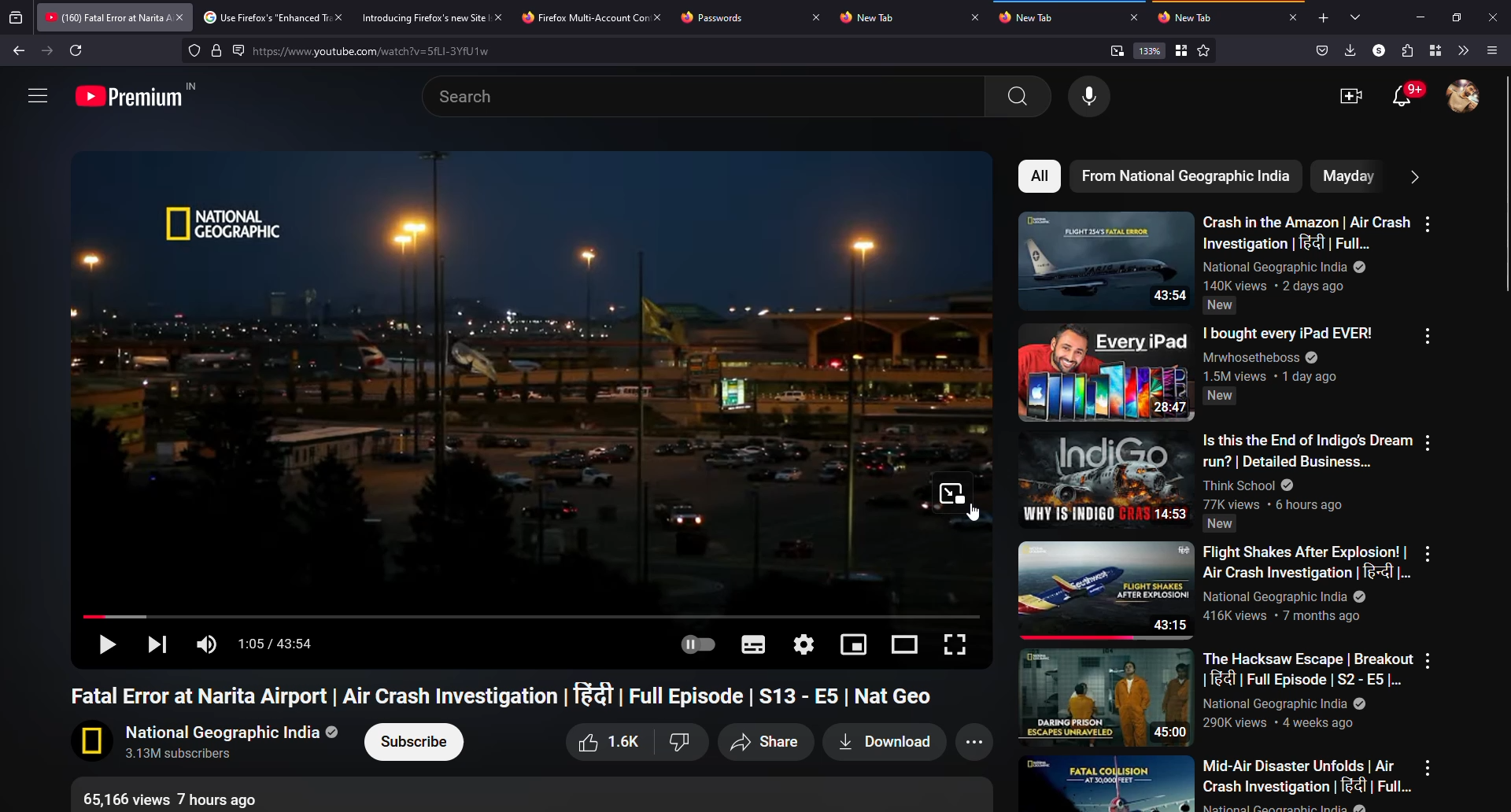 The height and width of the screenshot is (812, 1511). Describe the element at coordinates (1320, 50) in the screenshot. I see `save to packet` at that location.